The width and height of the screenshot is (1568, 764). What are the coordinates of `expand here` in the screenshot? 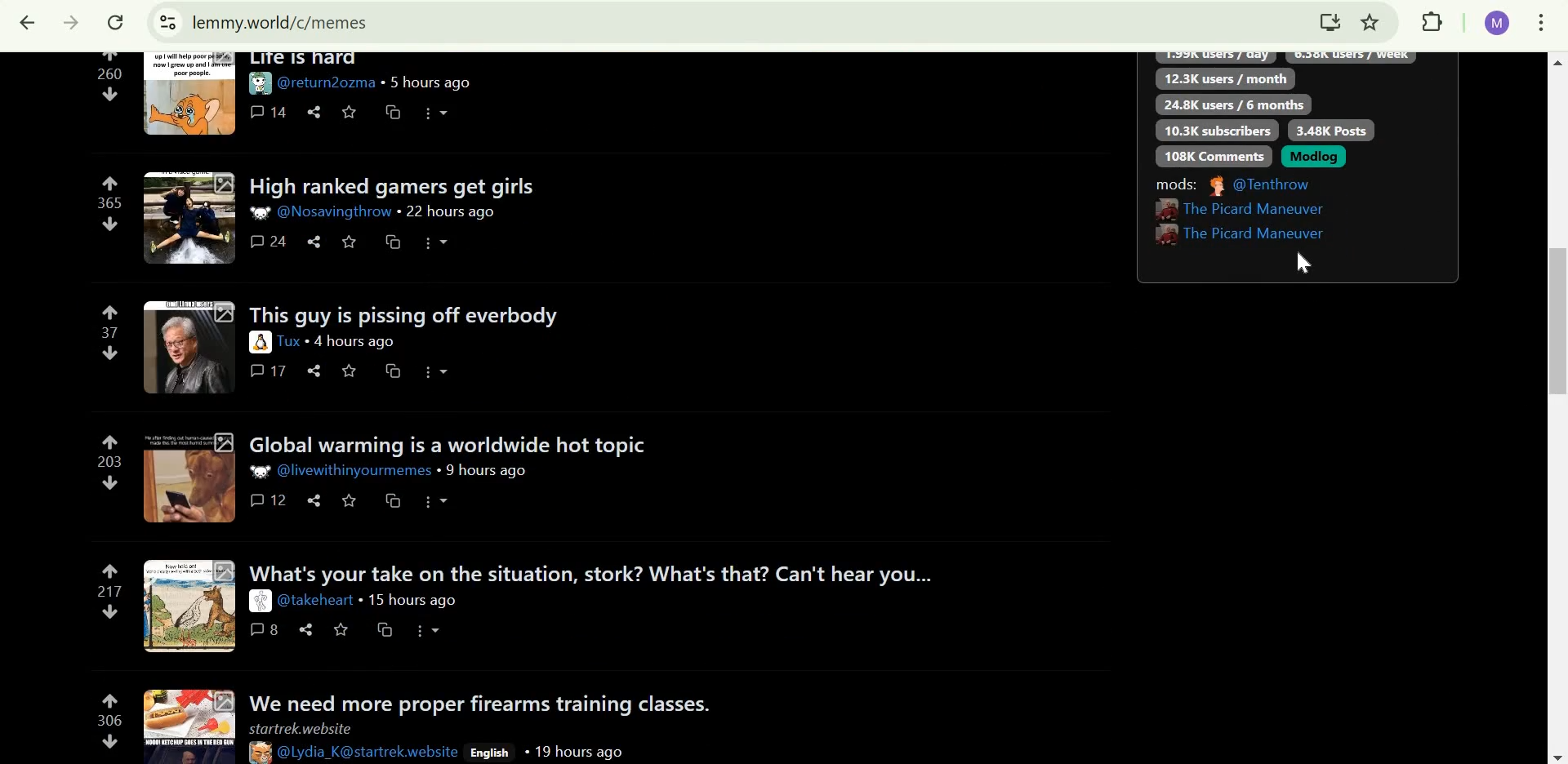 It's located at (185, 476).